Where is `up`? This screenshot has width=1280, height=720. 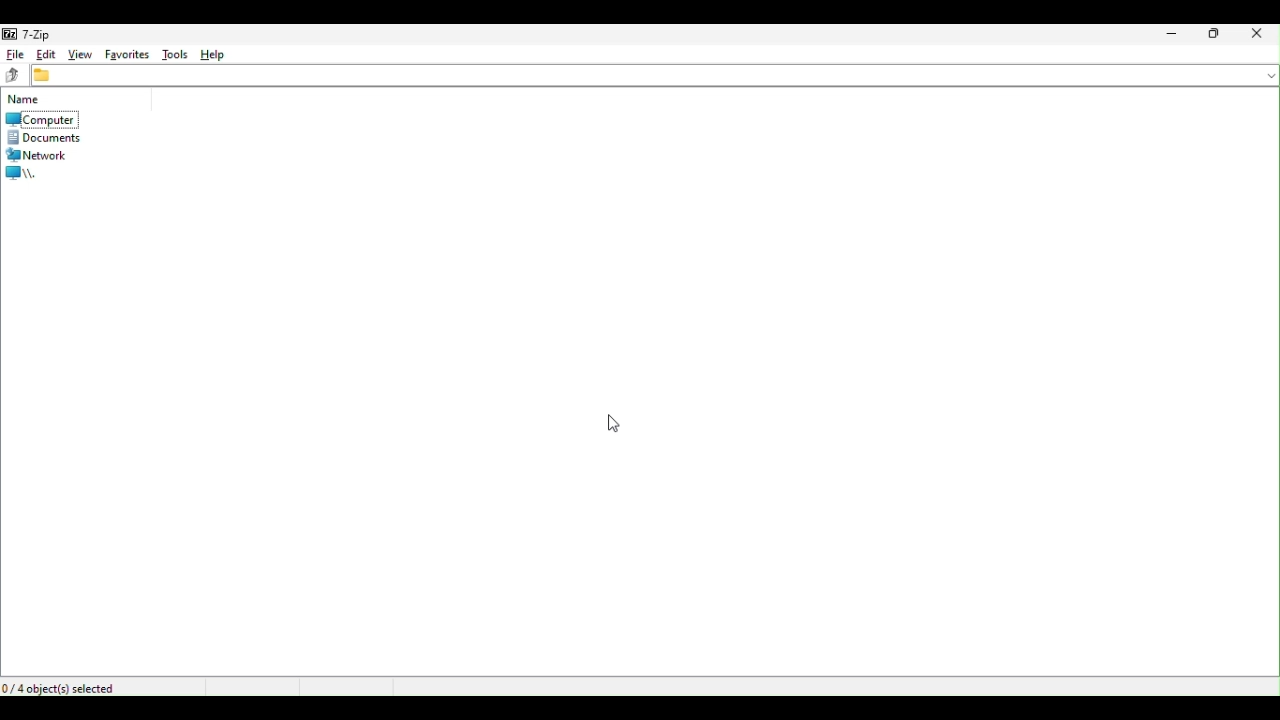 up is located at coordinates (12, 75).